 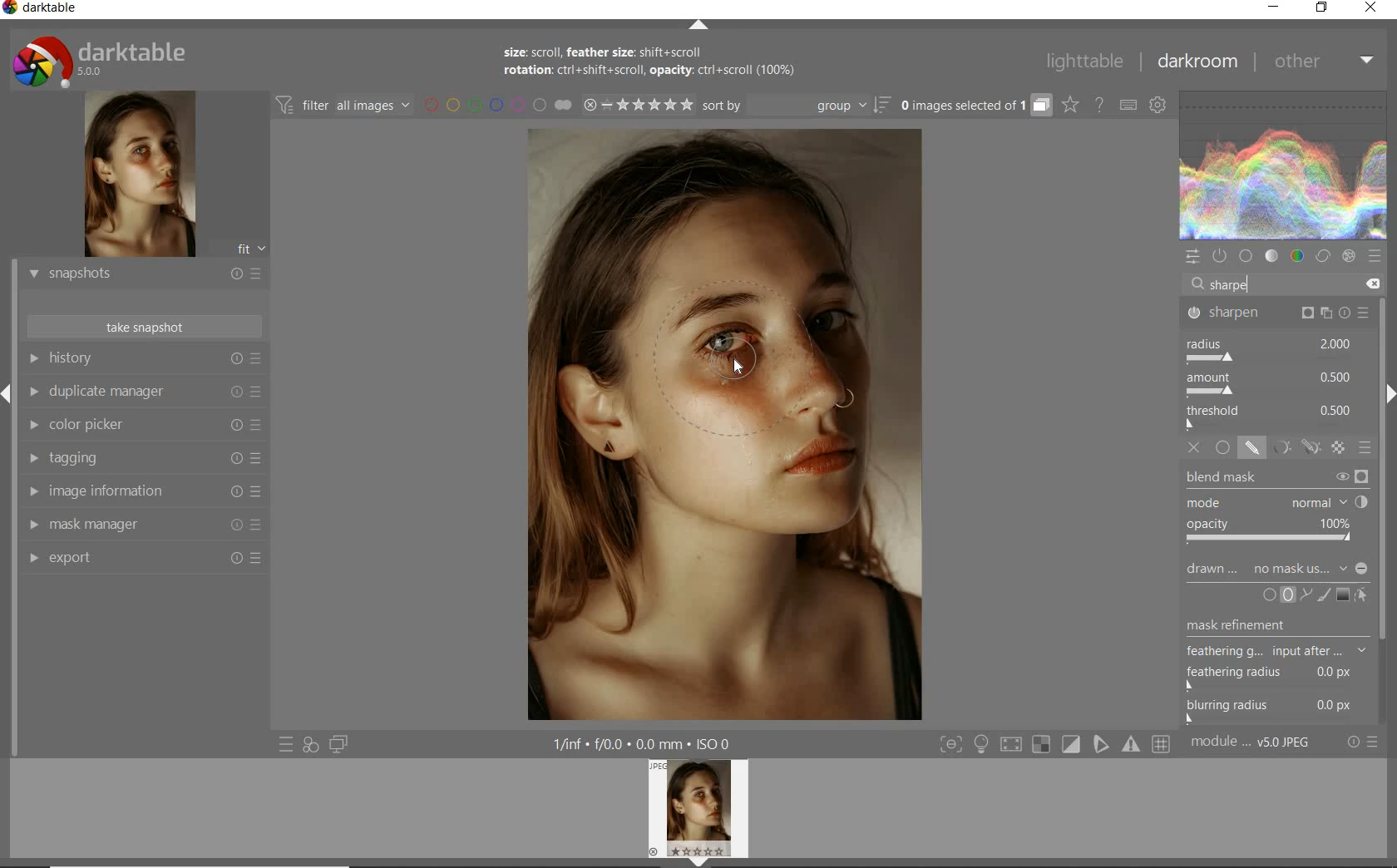 What do you see at coordinates (1271, 417) in the screenshot?
I see `THRESHOLD` at bounding box center [1271, 417].